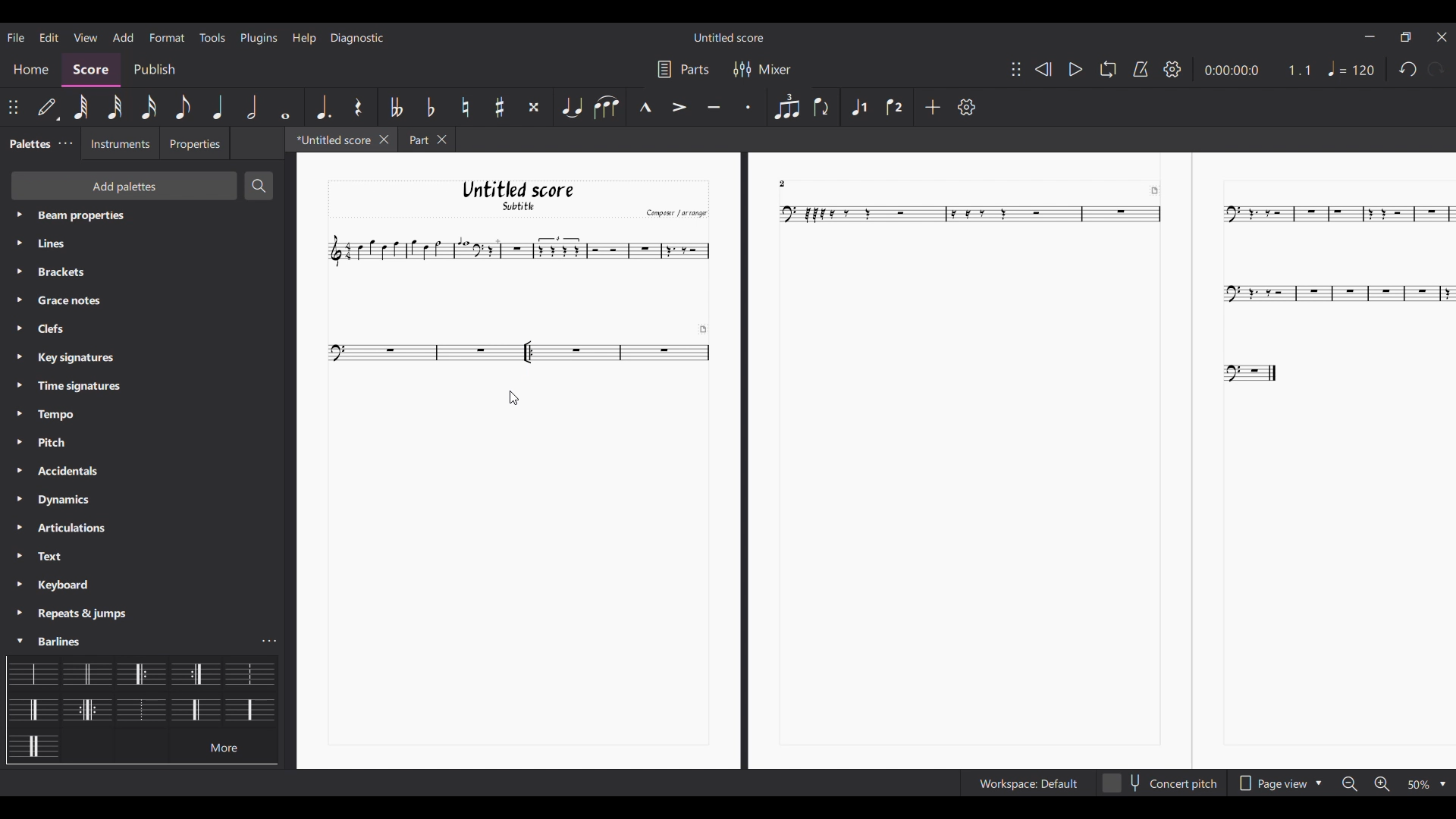  I want to click on Minimize, so click(1370, 37).